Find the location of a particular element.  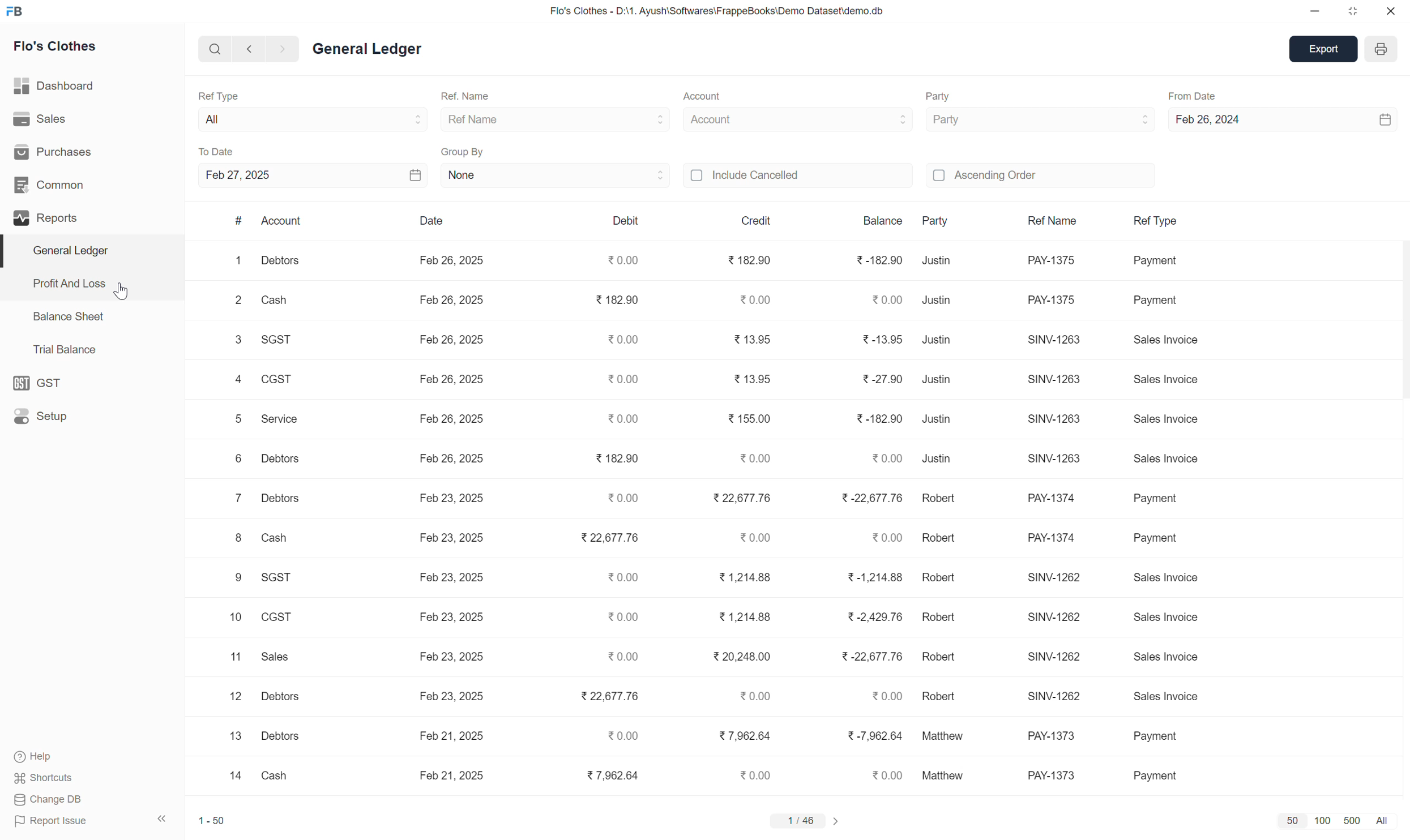

Account is located at coordinates (285, 224).